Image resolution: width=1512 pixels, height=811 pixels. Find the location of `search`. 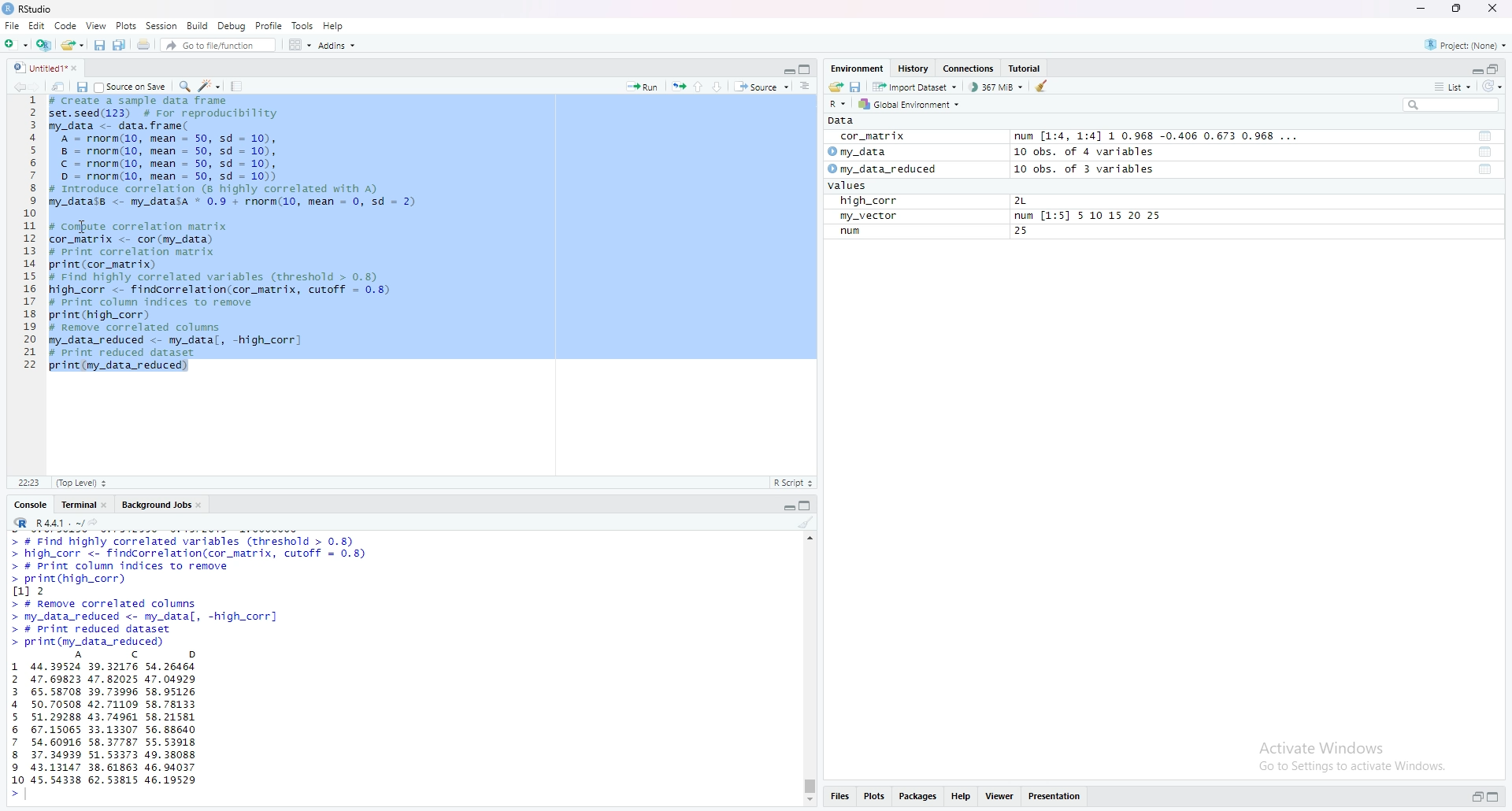

search is located at coordinates (1450, 106).